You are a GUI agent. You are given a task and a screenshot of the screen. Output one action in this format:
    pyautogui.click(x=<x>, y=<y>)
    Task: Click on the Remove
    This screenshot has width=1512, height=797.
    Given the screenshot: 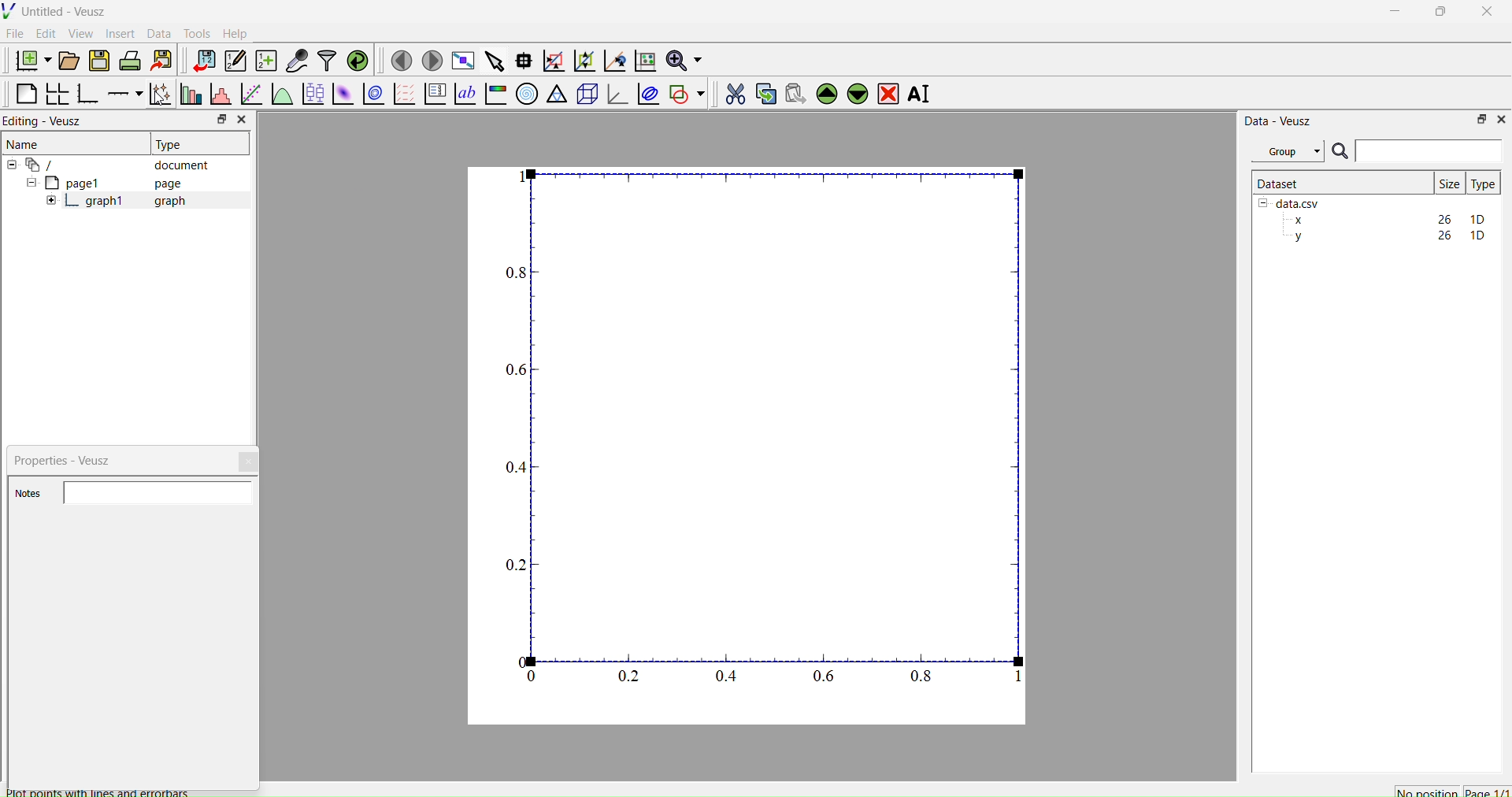 What is the action you would take?
    pyautogui.click(x=888, y=92)
    